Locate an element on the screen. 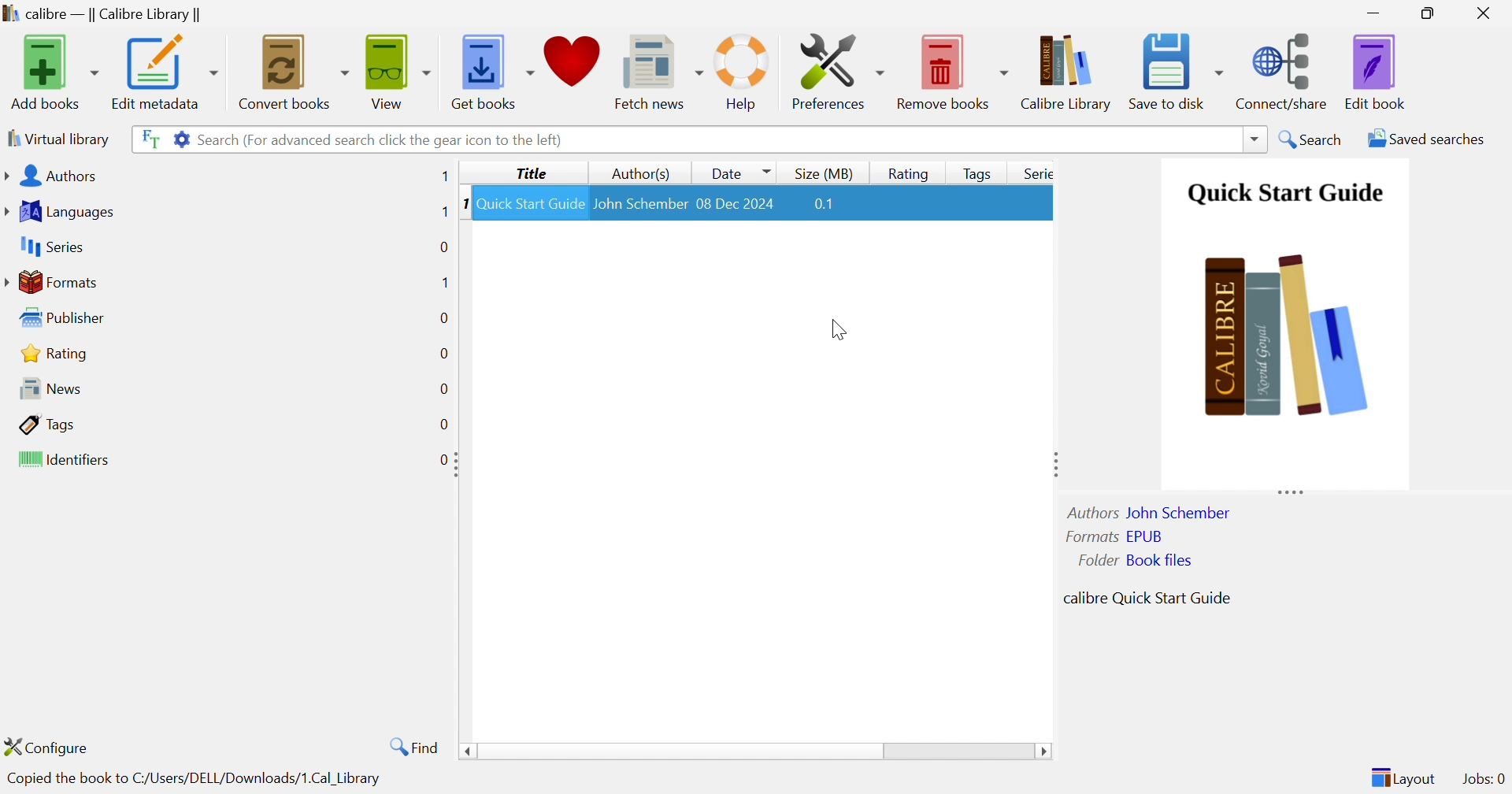  Save to disk is located at coordinates (1175, 71).